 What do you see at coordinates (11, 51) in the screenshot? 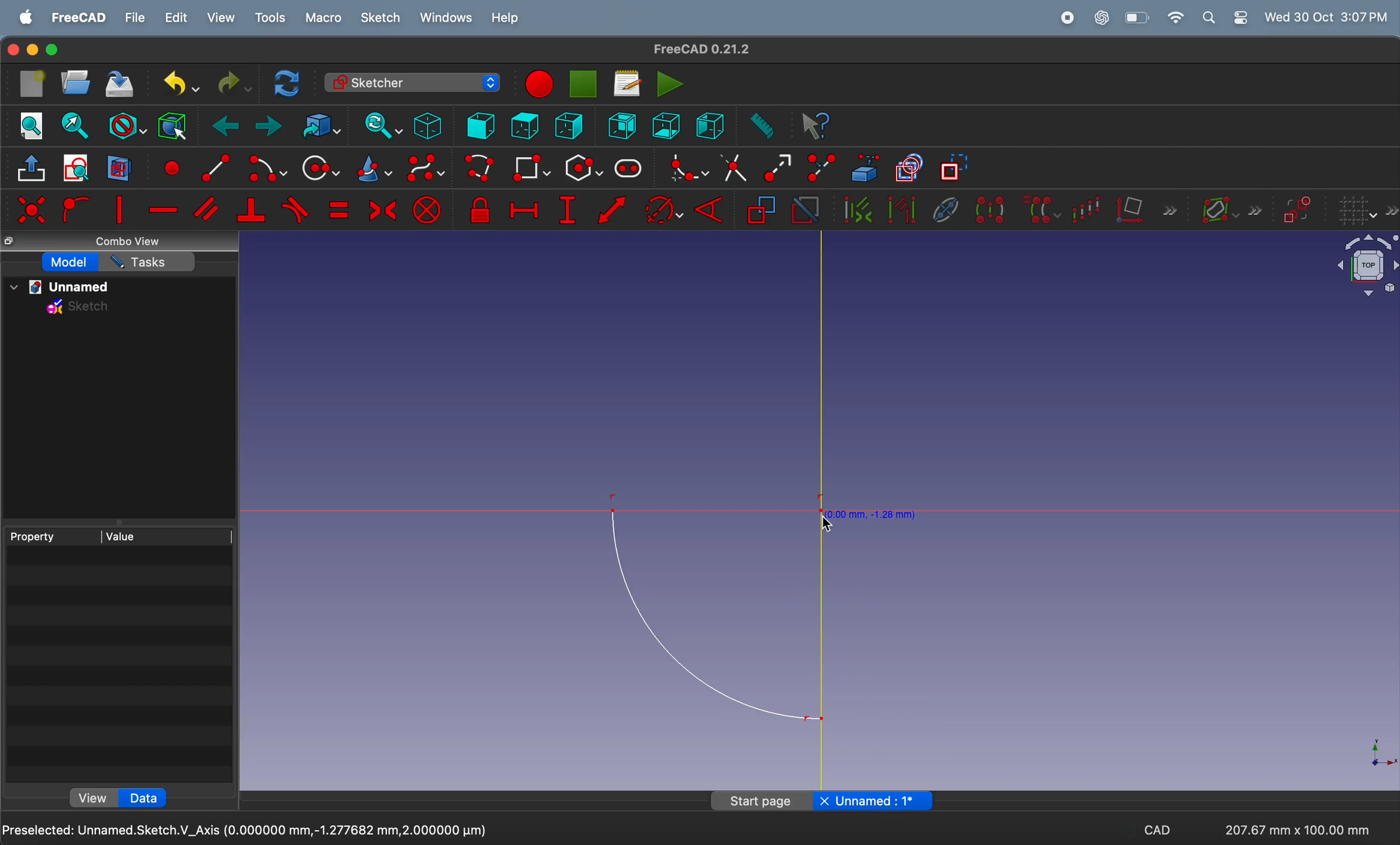
I see `close` at bounding box center [11, 51].